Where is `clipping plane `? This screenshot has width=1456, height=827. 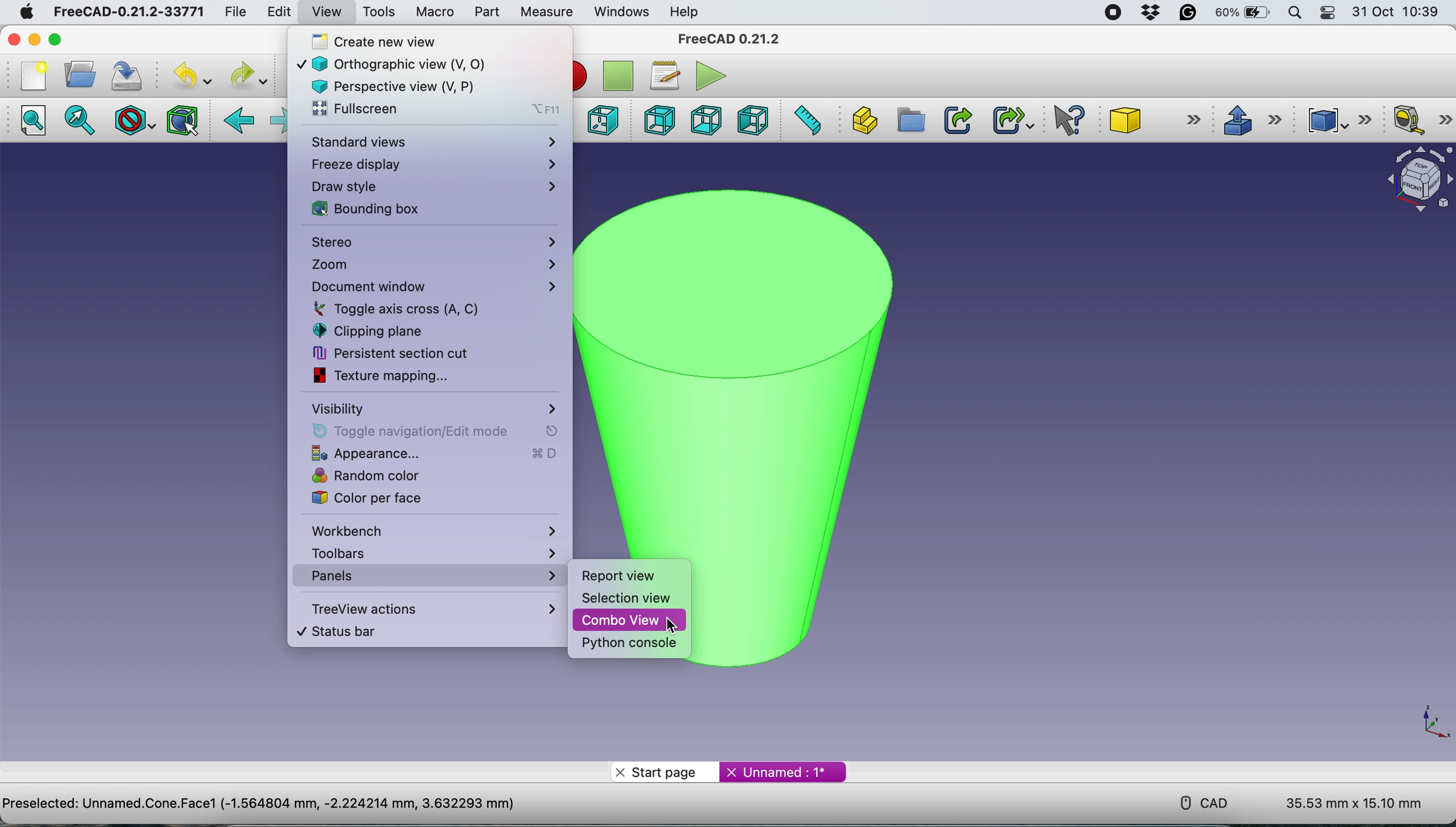
clipping plane  is located at coordinates (405, 331).